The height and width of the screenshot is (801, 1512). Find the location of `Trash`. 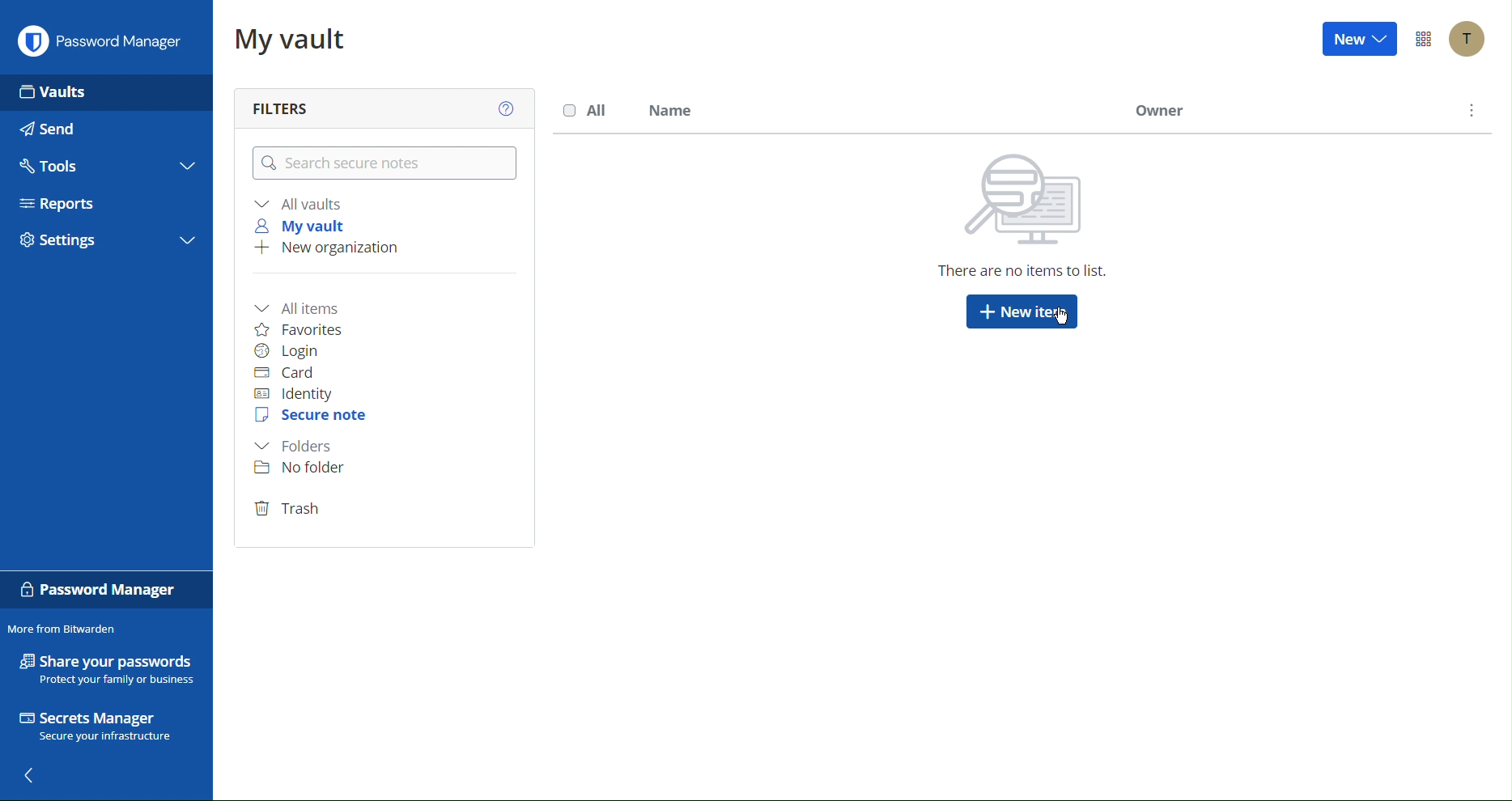

Trash is located at coordinates (291, 507).